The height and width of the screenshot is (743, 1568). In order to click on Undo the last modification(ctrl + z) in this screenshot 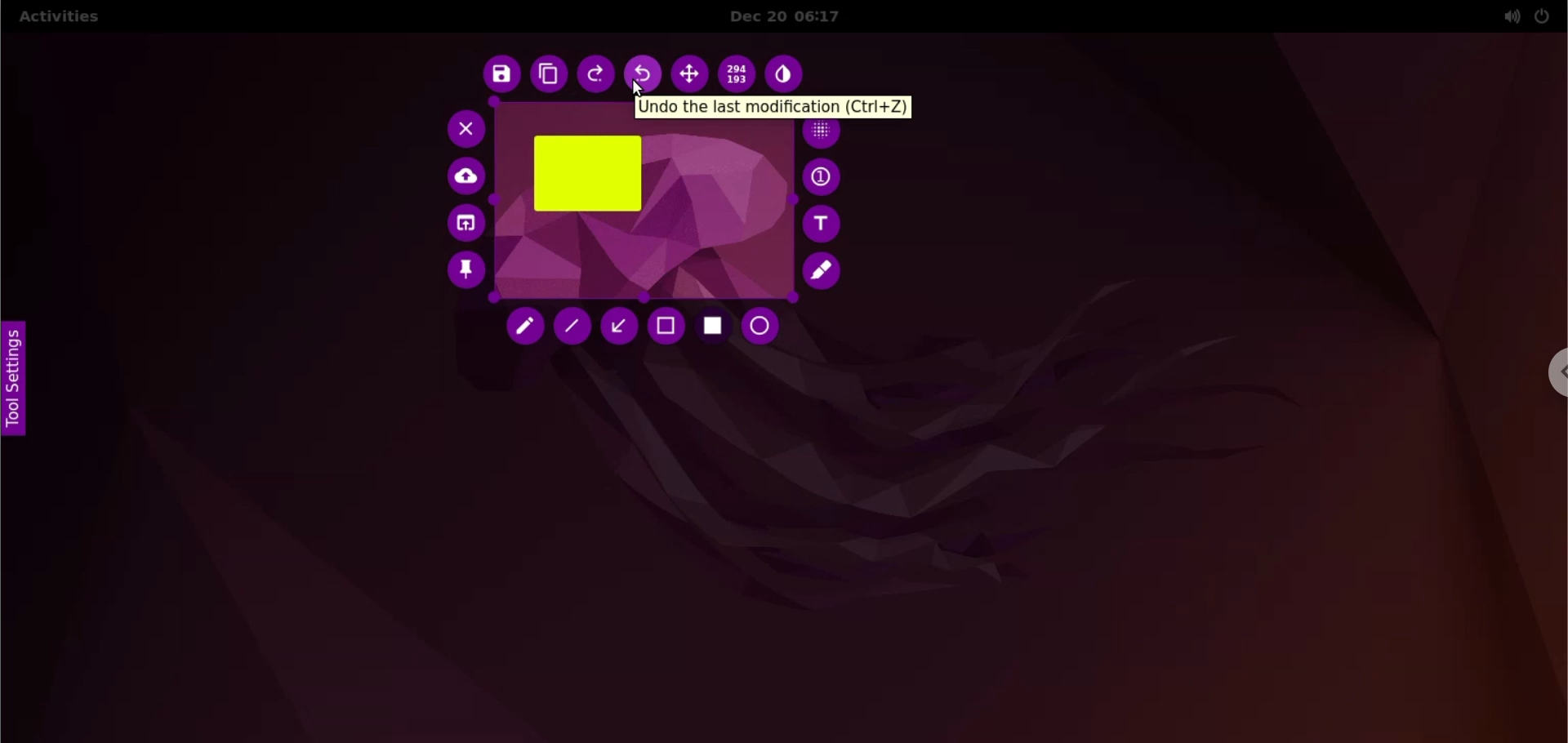, I will do `click(777, 108)`.